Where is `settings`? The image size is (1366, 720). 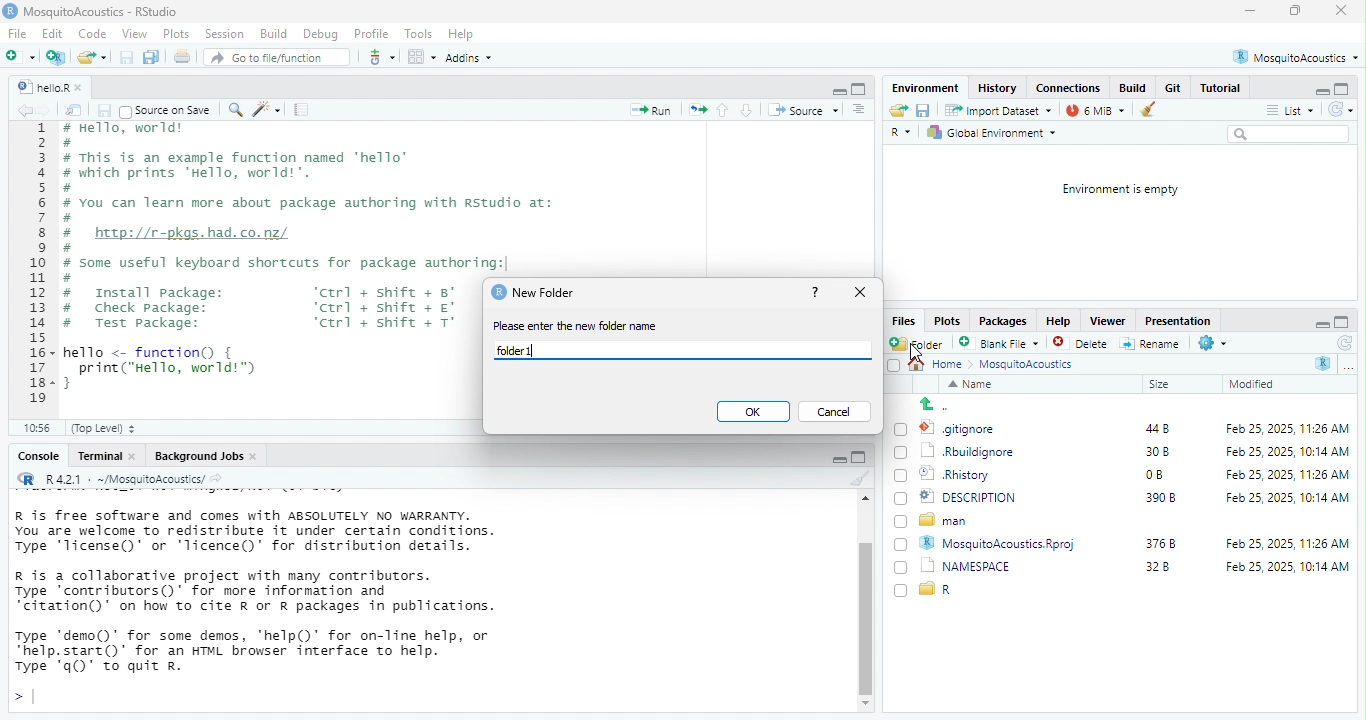
settings is located at coordinates (1219, 344).